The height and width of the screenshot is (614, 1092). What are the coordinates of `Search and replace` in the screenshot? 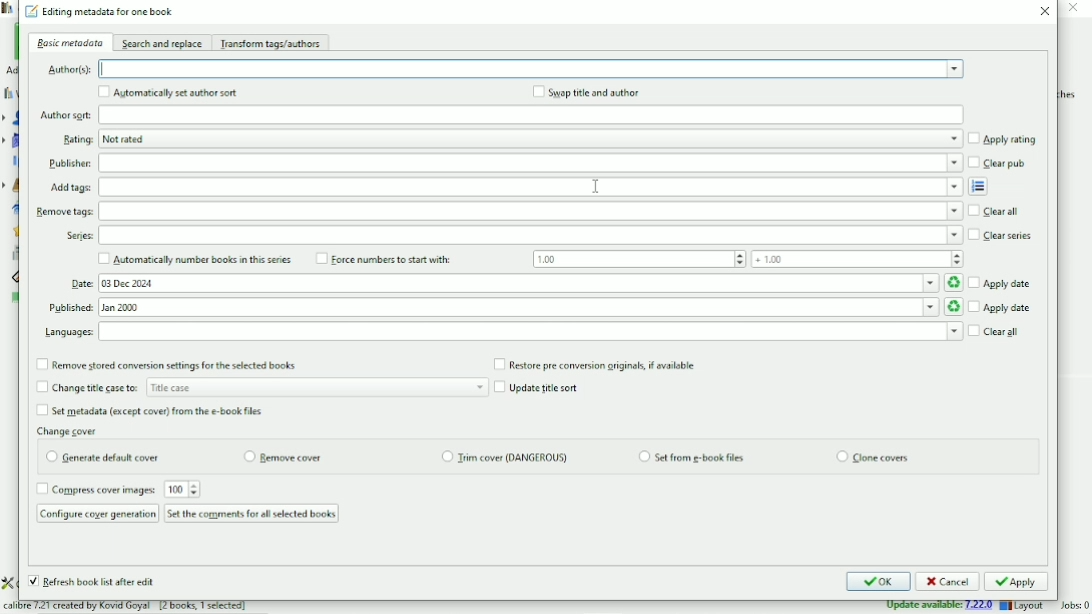 It's located at (163, 43).